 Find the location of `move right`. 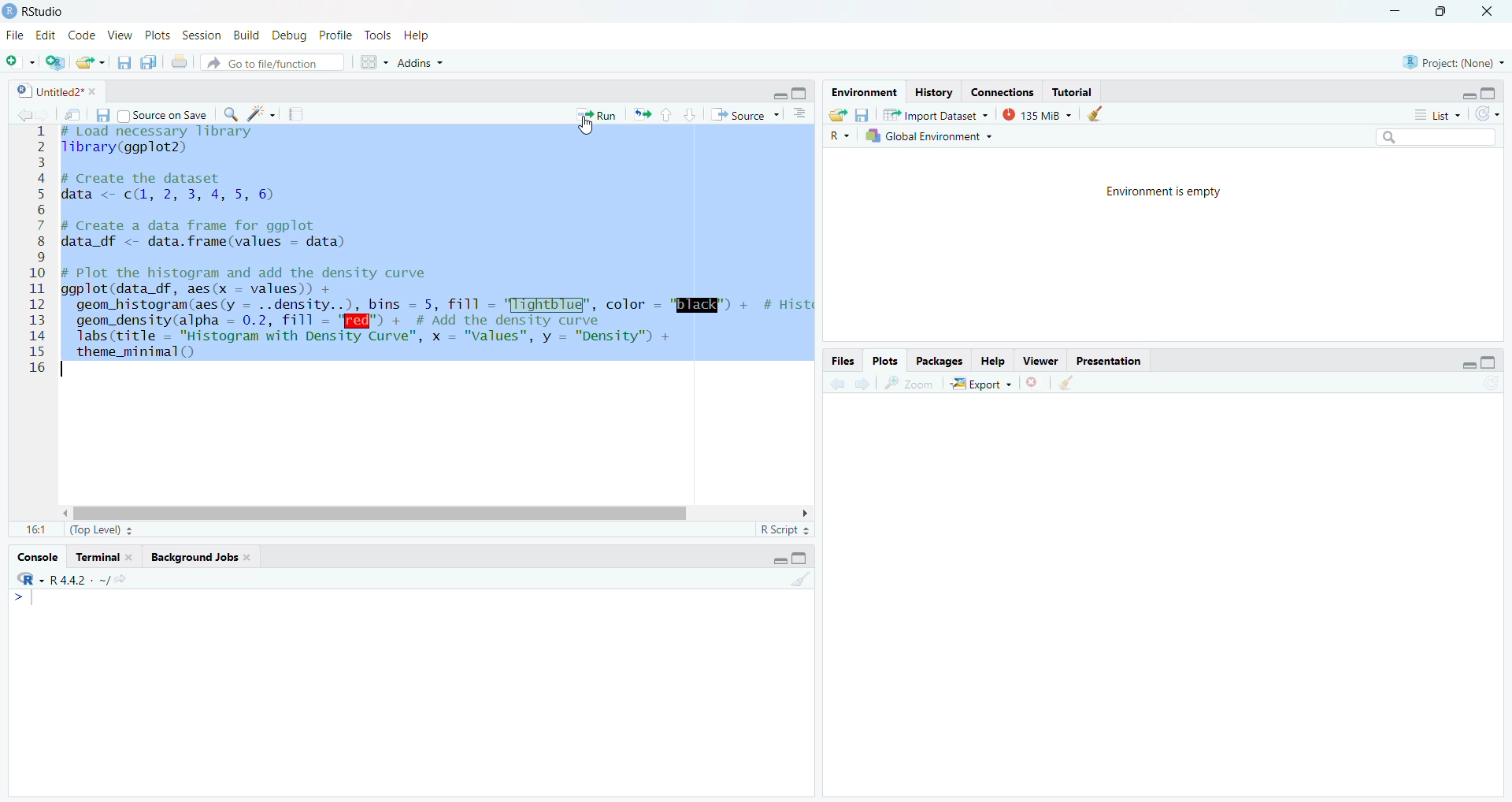

move right is located at coordinates (806, 512).